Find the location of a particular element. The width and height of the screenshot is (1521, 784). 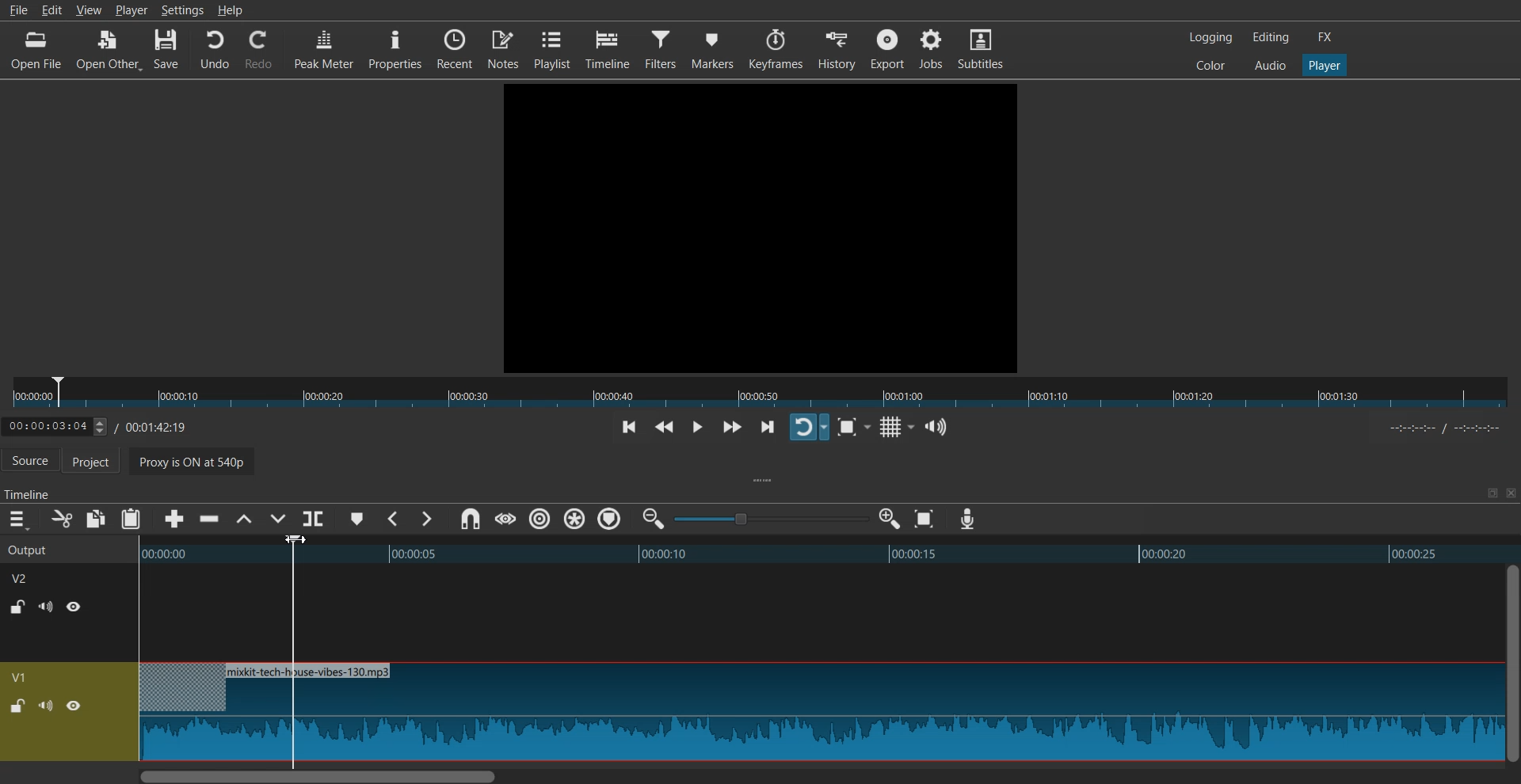

Subtitles is located at coordinates (981, 48).